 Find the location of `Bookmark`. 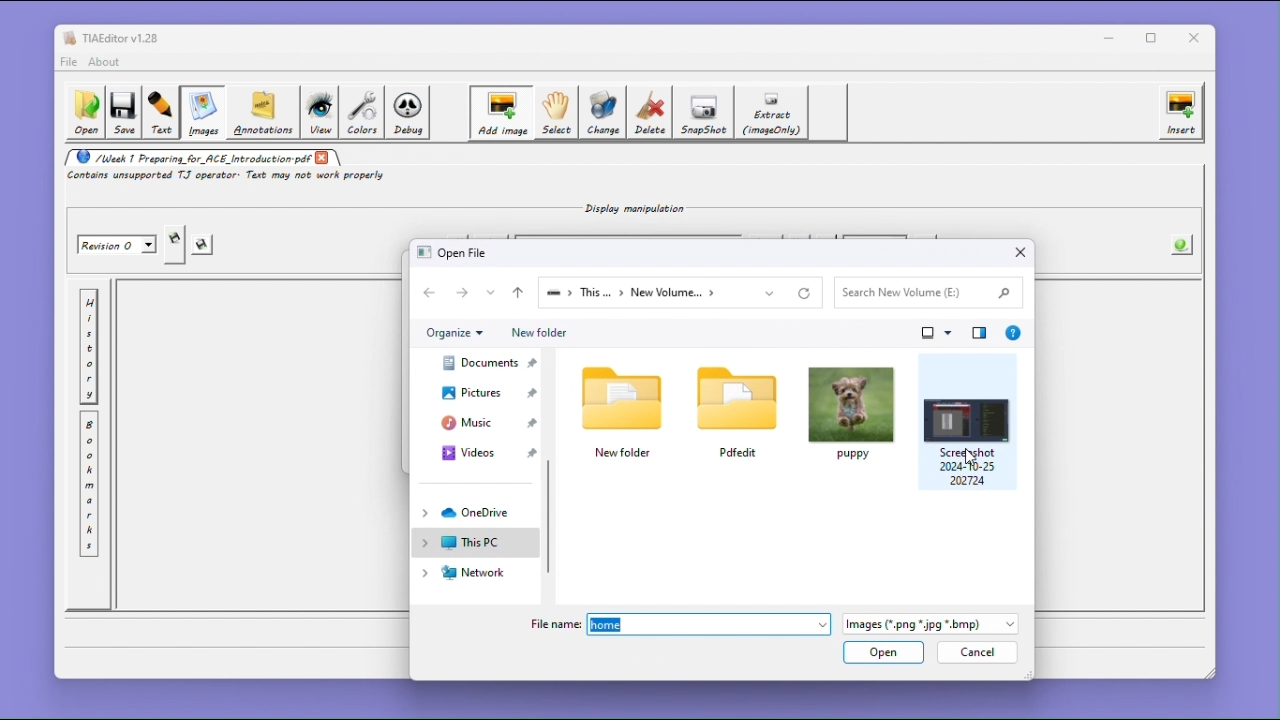

Bookmark is located at coordinates (89, 485).